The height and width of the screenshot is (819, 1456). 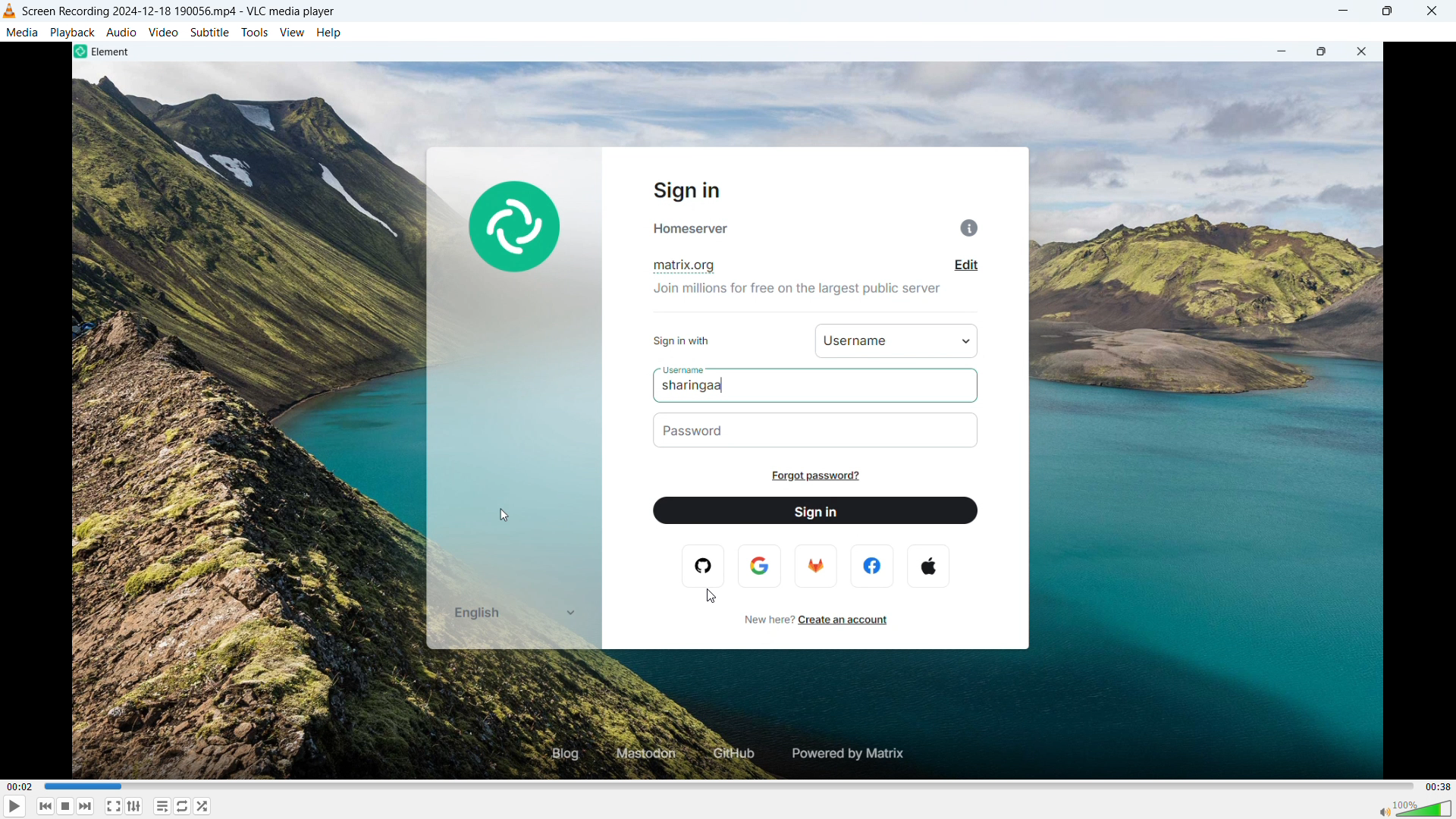 I want to click on backward or previous media, so click(x=45, y=806).